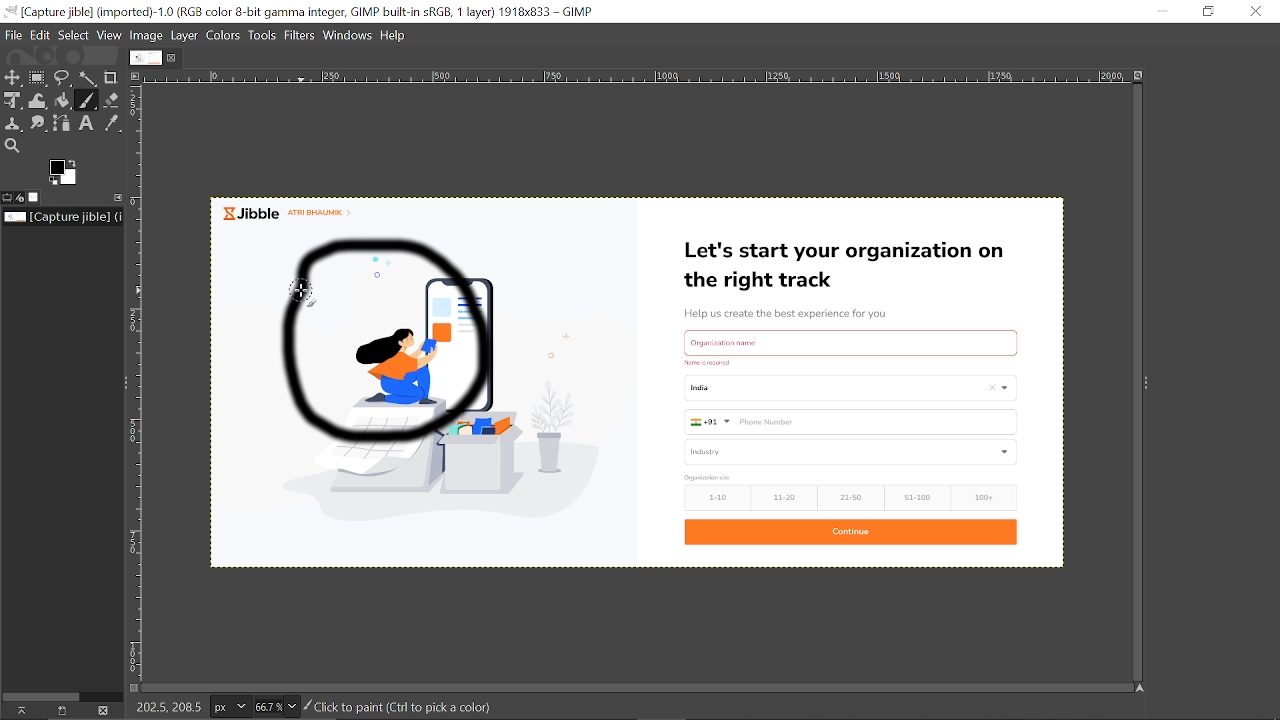 The height and width of the screenshot is (720, 1280). Describe the element at coordinates (15, 124) in the screenshot. I see `Clone tool` at that location.